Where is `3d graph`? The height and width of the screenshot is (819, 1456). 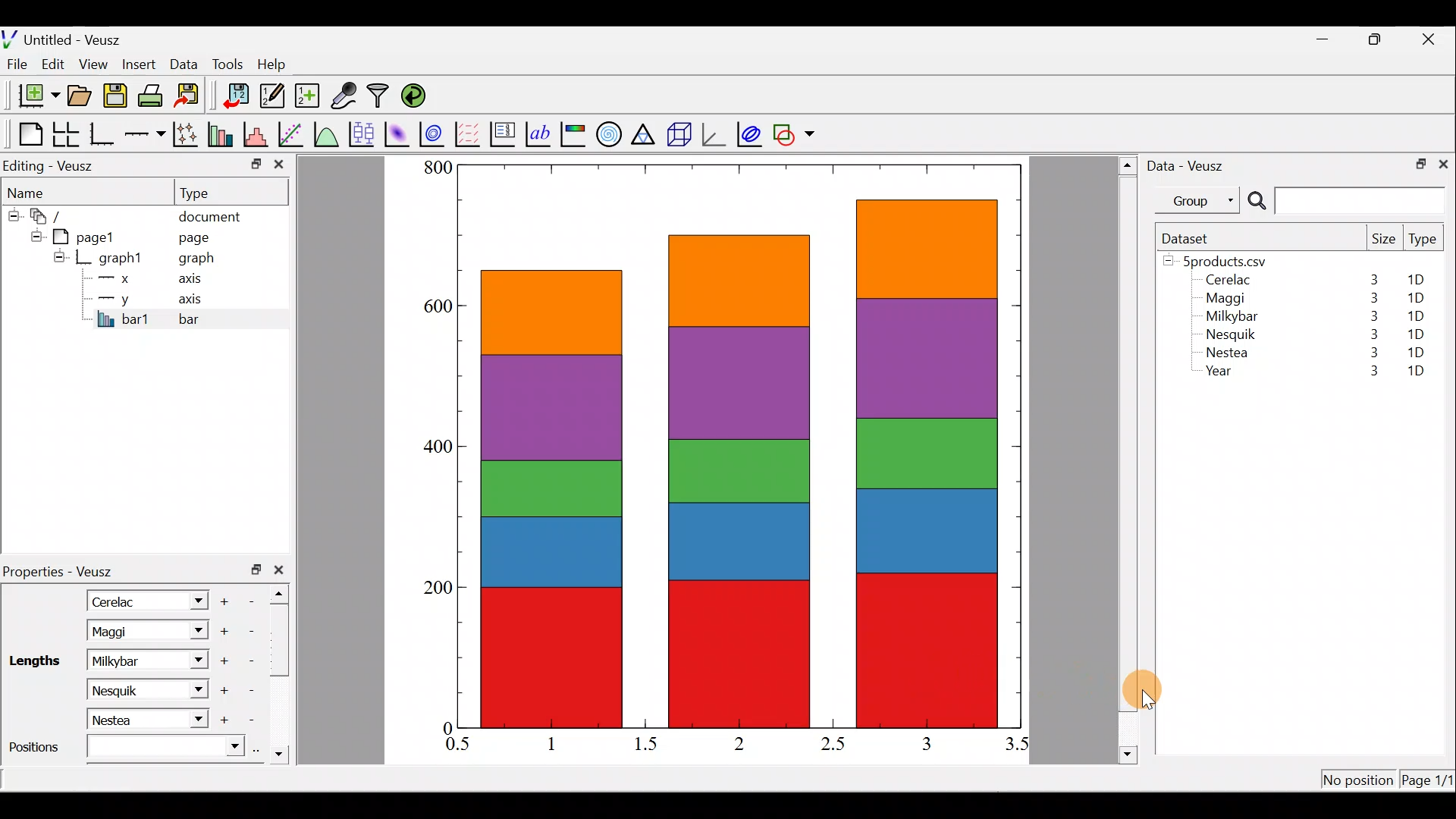
3d graph is located at coordinates (714, 133).